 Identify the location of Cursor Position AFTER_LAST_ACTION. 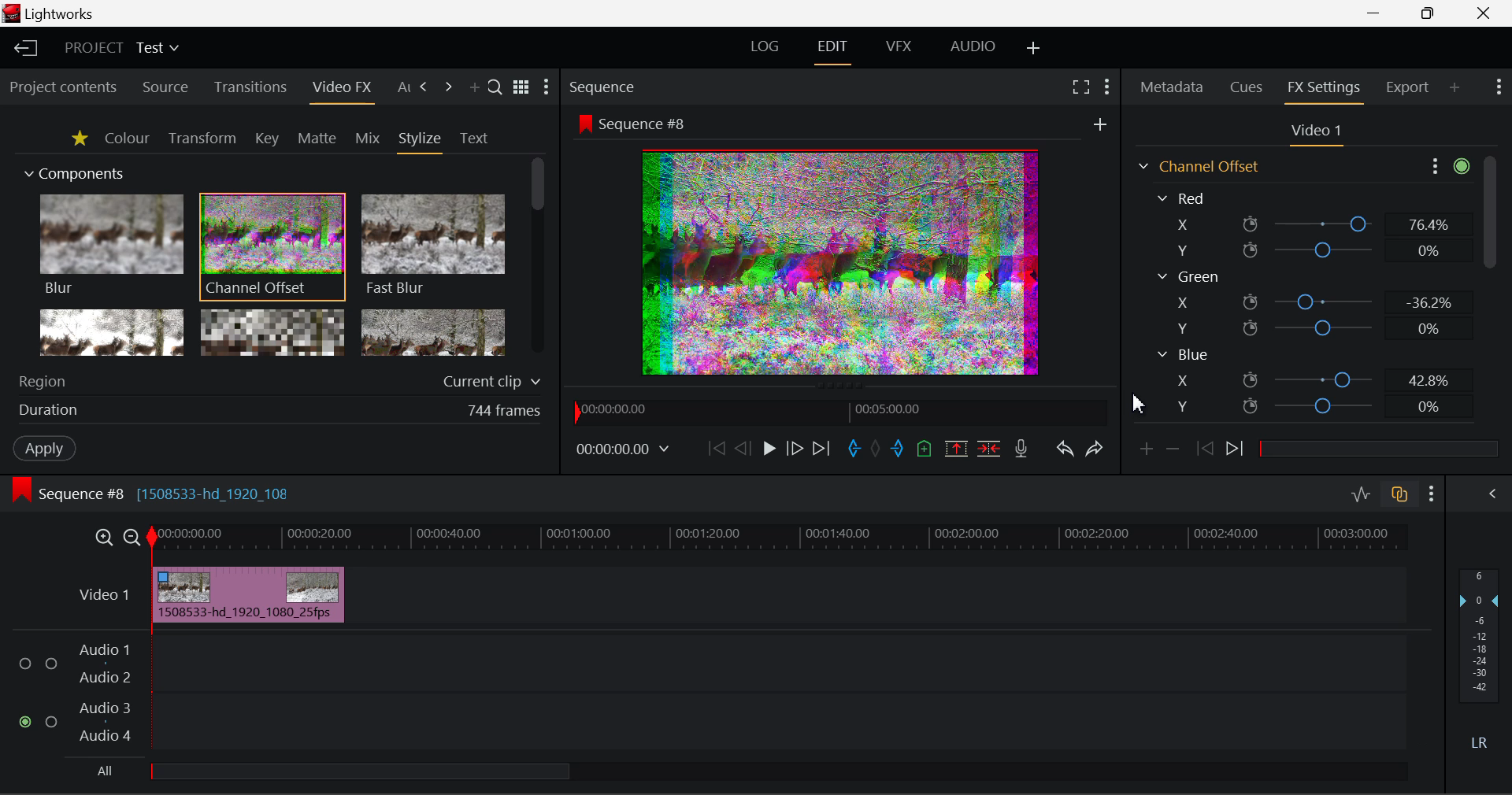
(1137, 405).